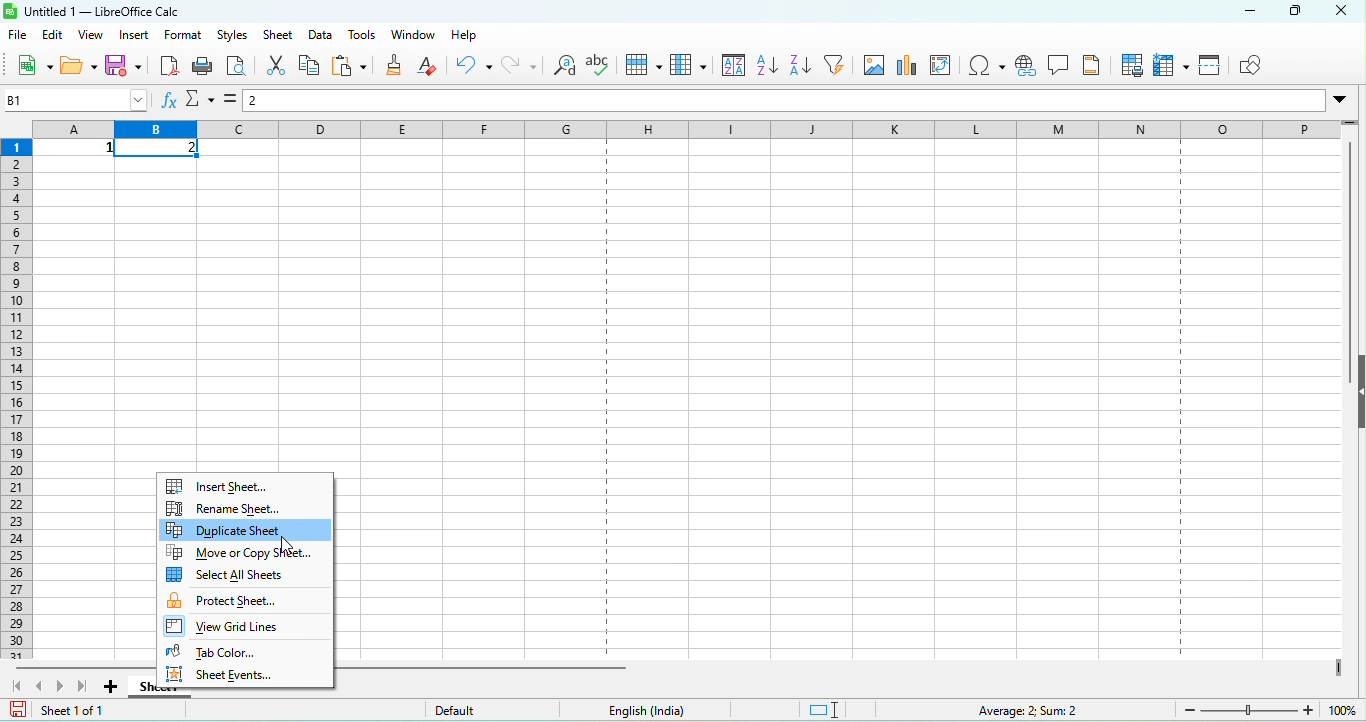 The width and height of the screenshot is (1366, 722). Describe the element at coordinates (247, 600) in the screenshot. I see `protect sheet` at that location.